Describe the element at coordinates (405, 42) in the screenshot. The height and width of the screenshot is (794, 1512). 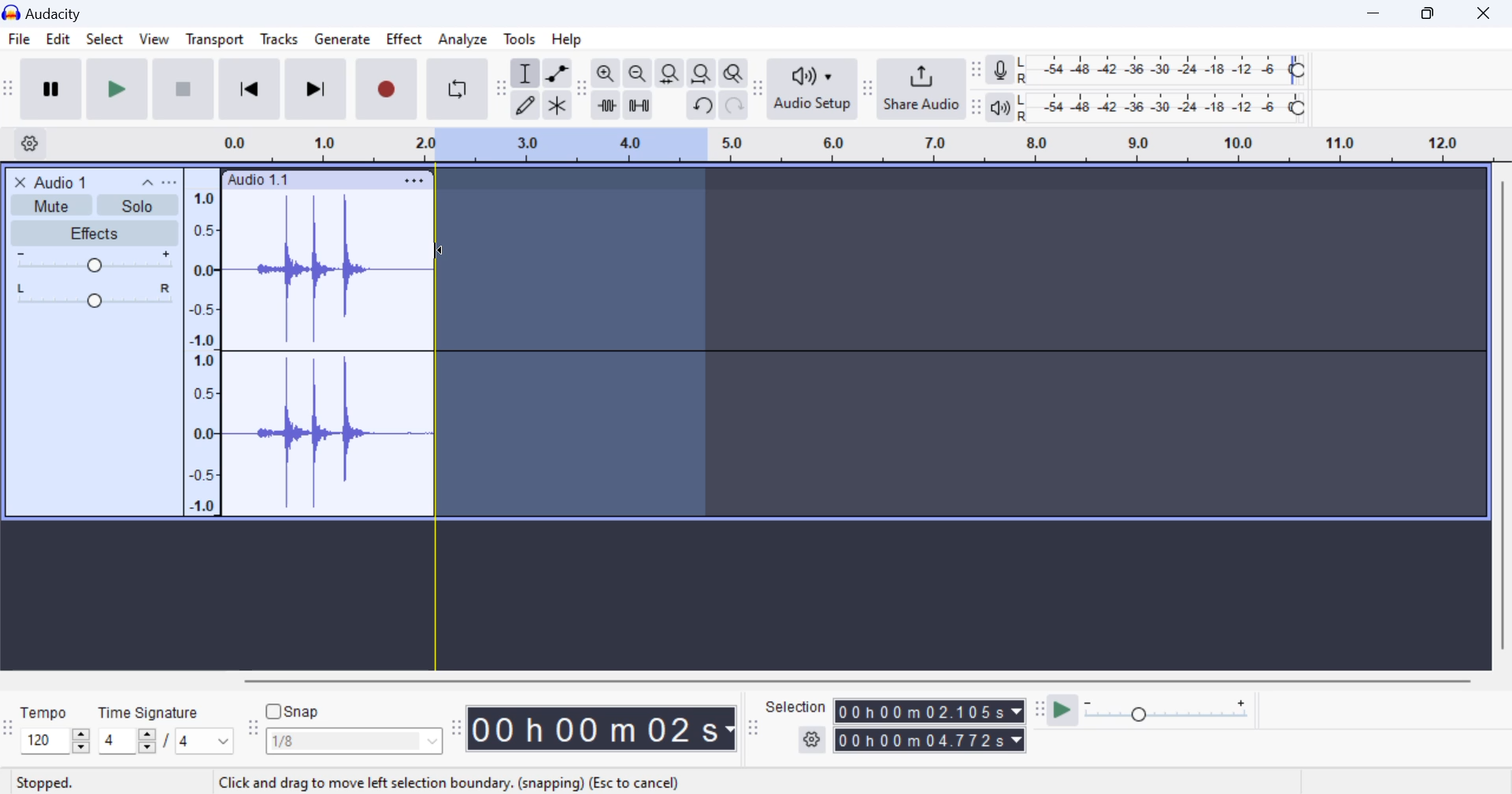
I see `Effect` at that location.